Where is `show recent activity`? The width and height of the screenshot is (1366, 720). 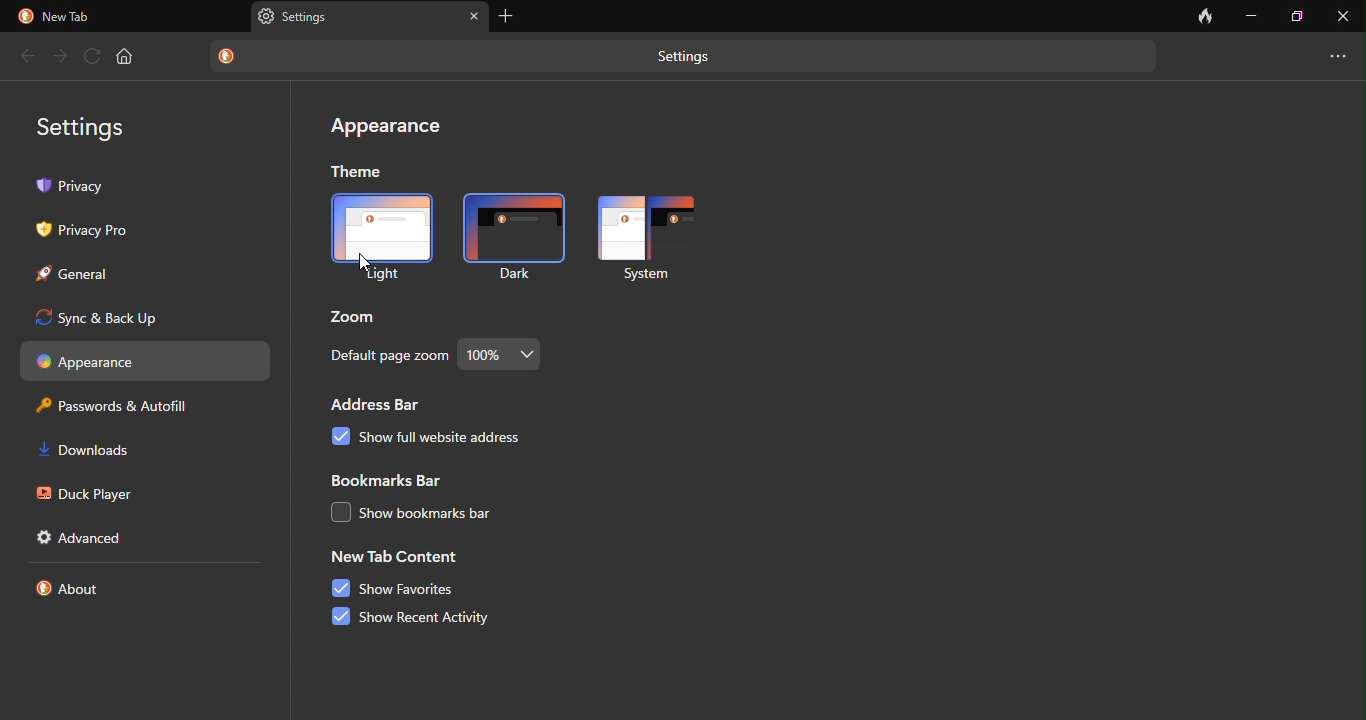 show recent activity is located at coordinates (433, 617).